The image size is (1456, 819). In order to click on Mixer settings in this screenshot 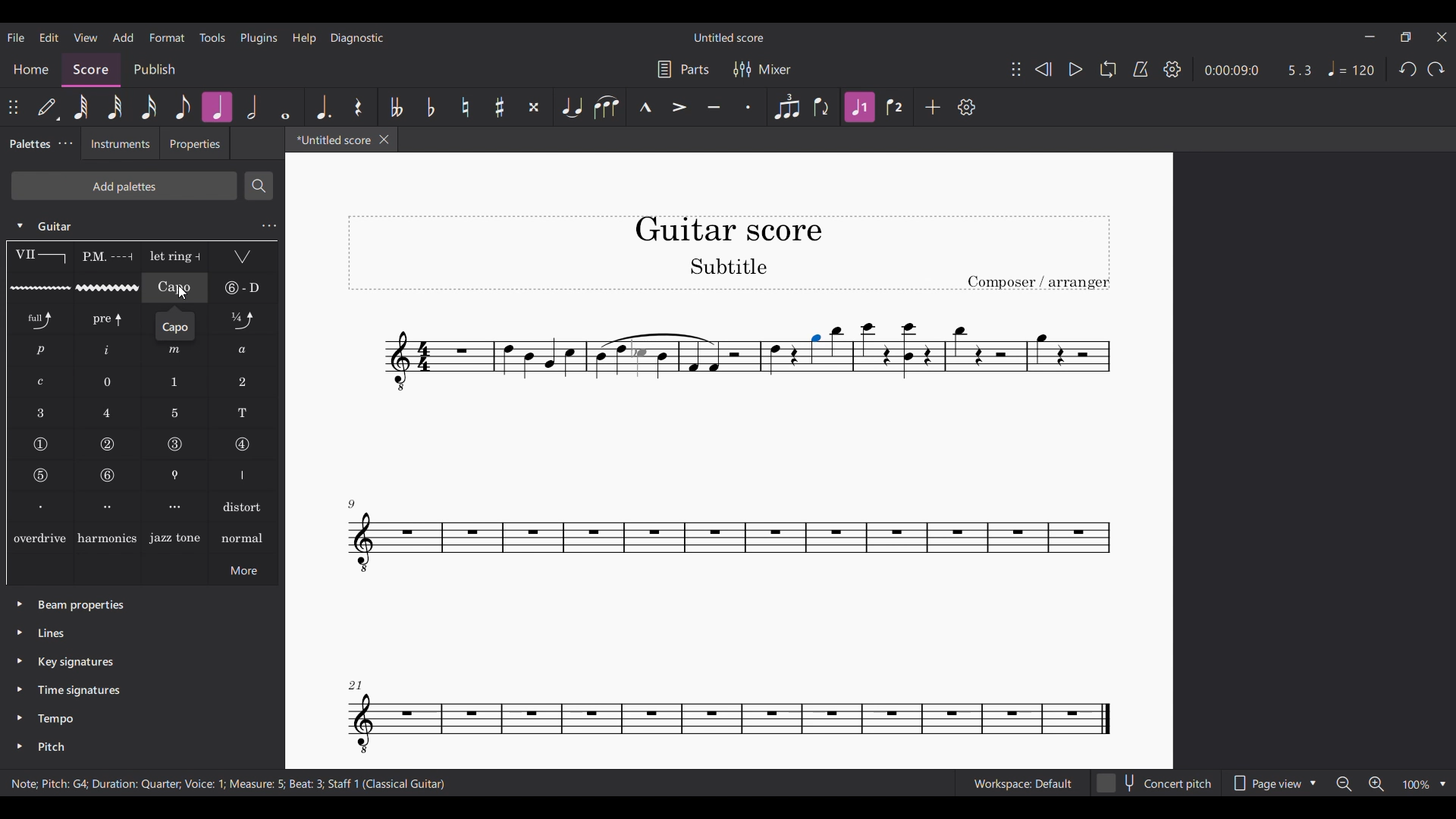, I will do `click(762, 69)`.